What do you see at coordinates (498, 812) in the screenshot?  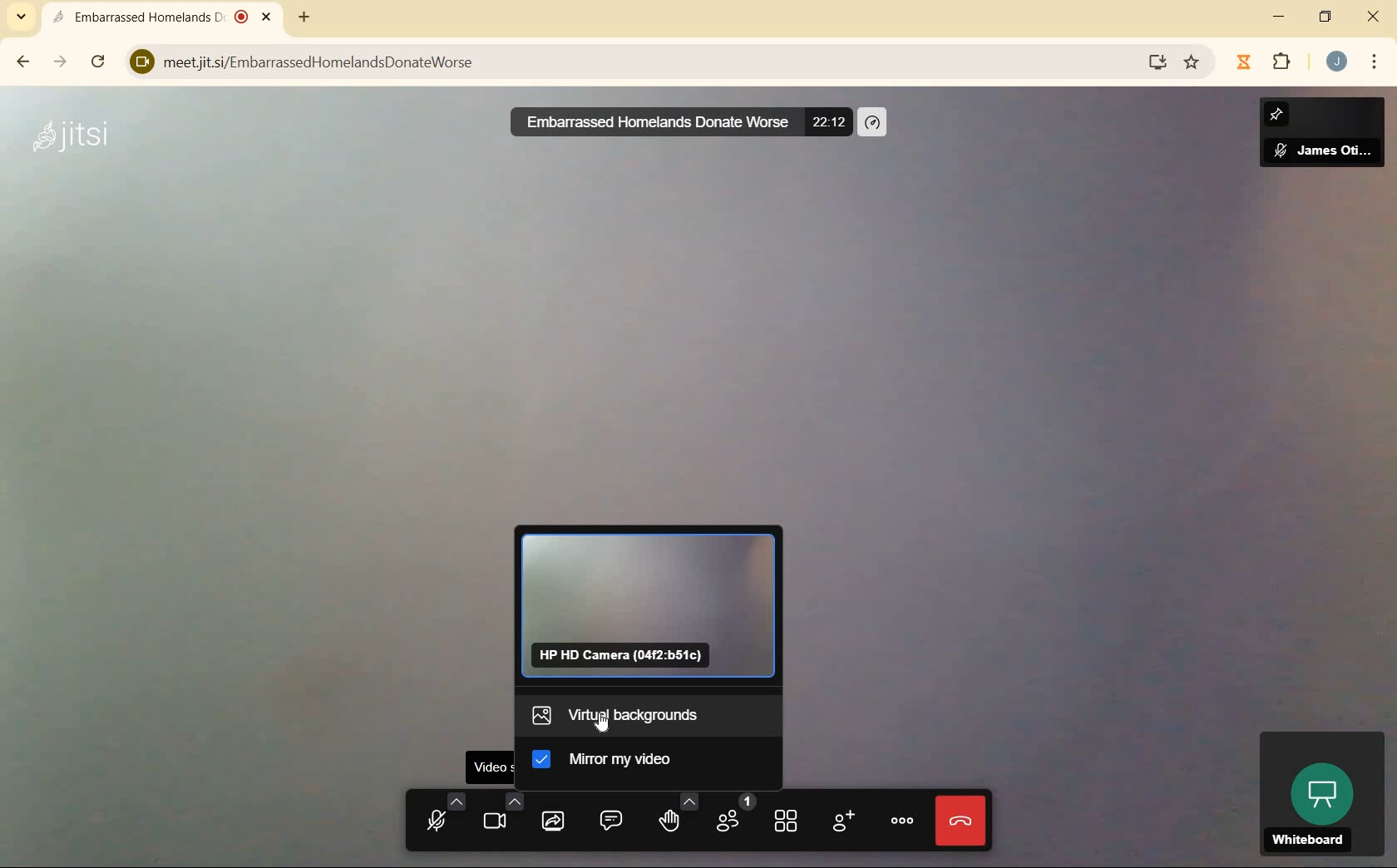 I see `video` at bounding box center [498, 812].